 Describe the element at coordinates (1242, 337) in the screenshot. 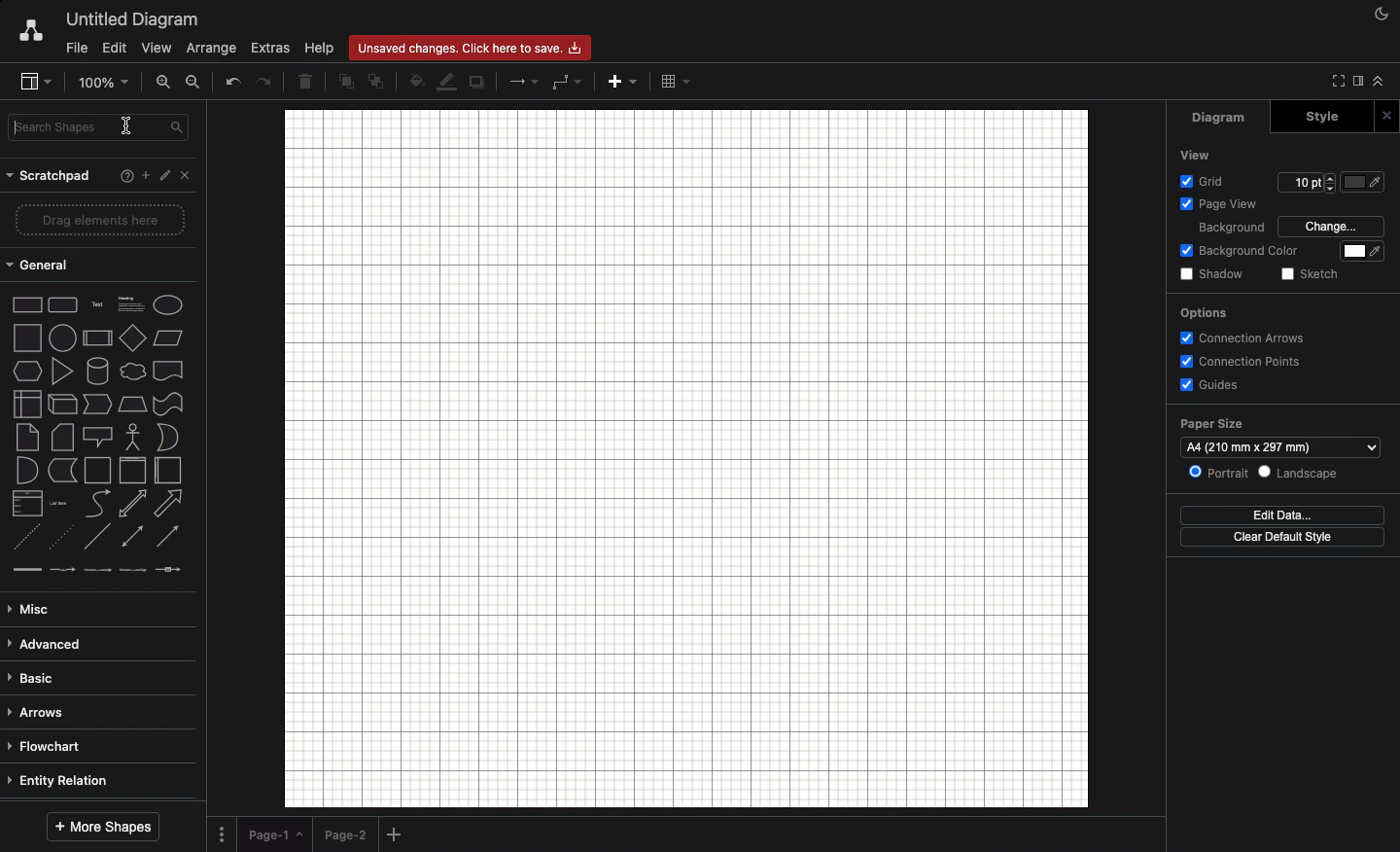

I see `Connection arrows` at that location.